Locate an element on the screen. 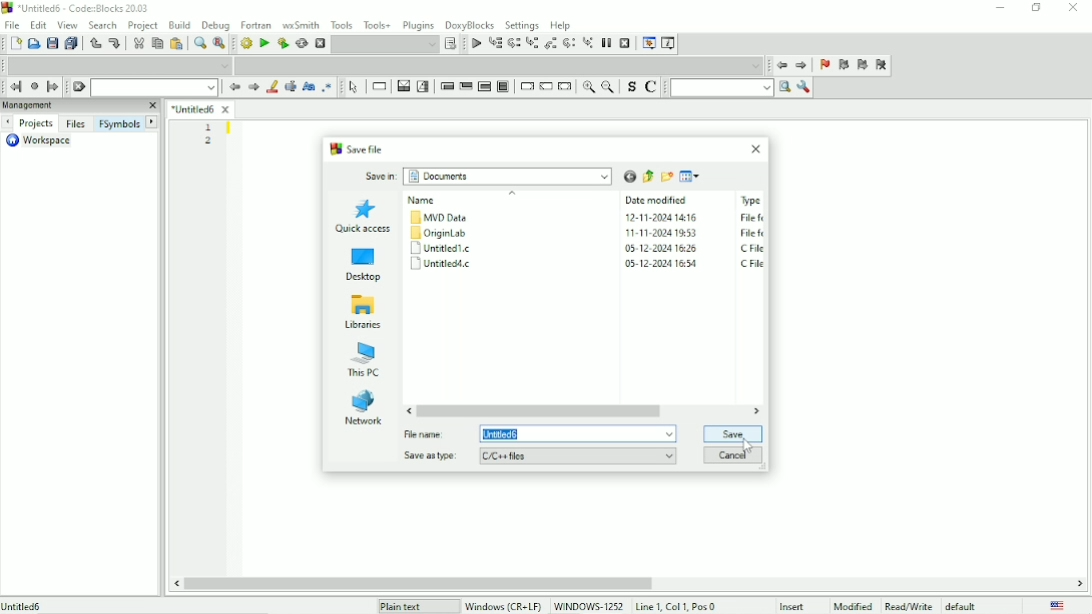 This screenshot has height=614, width=1092. Cursor is located at coordinates (752, 445).